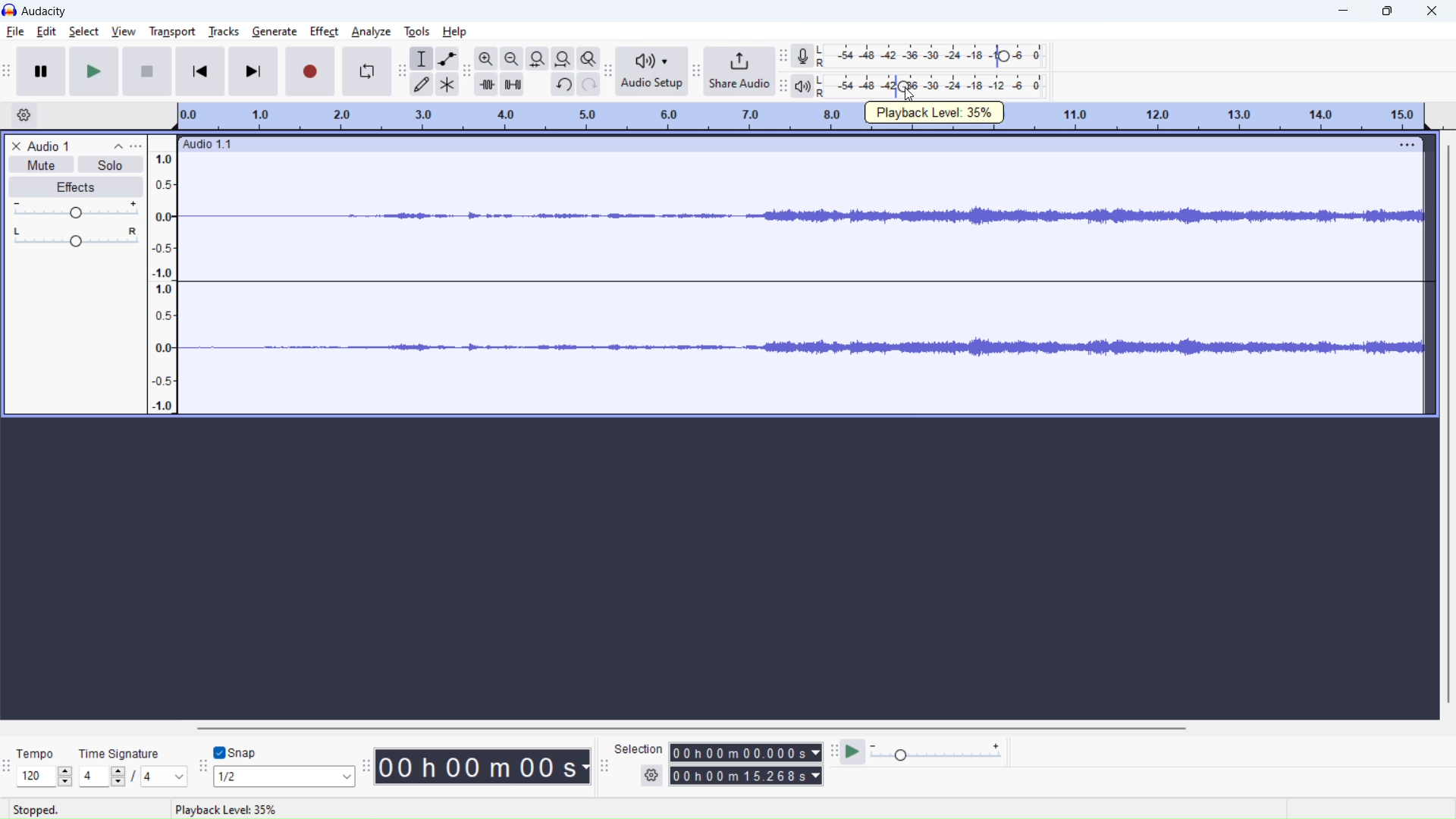 Image resolution: width=1456 pixels, height=819 pixels. What do you see at coordinates (49, 146) in the screenshot?
I see `project title` at bounding box center [49, 146].